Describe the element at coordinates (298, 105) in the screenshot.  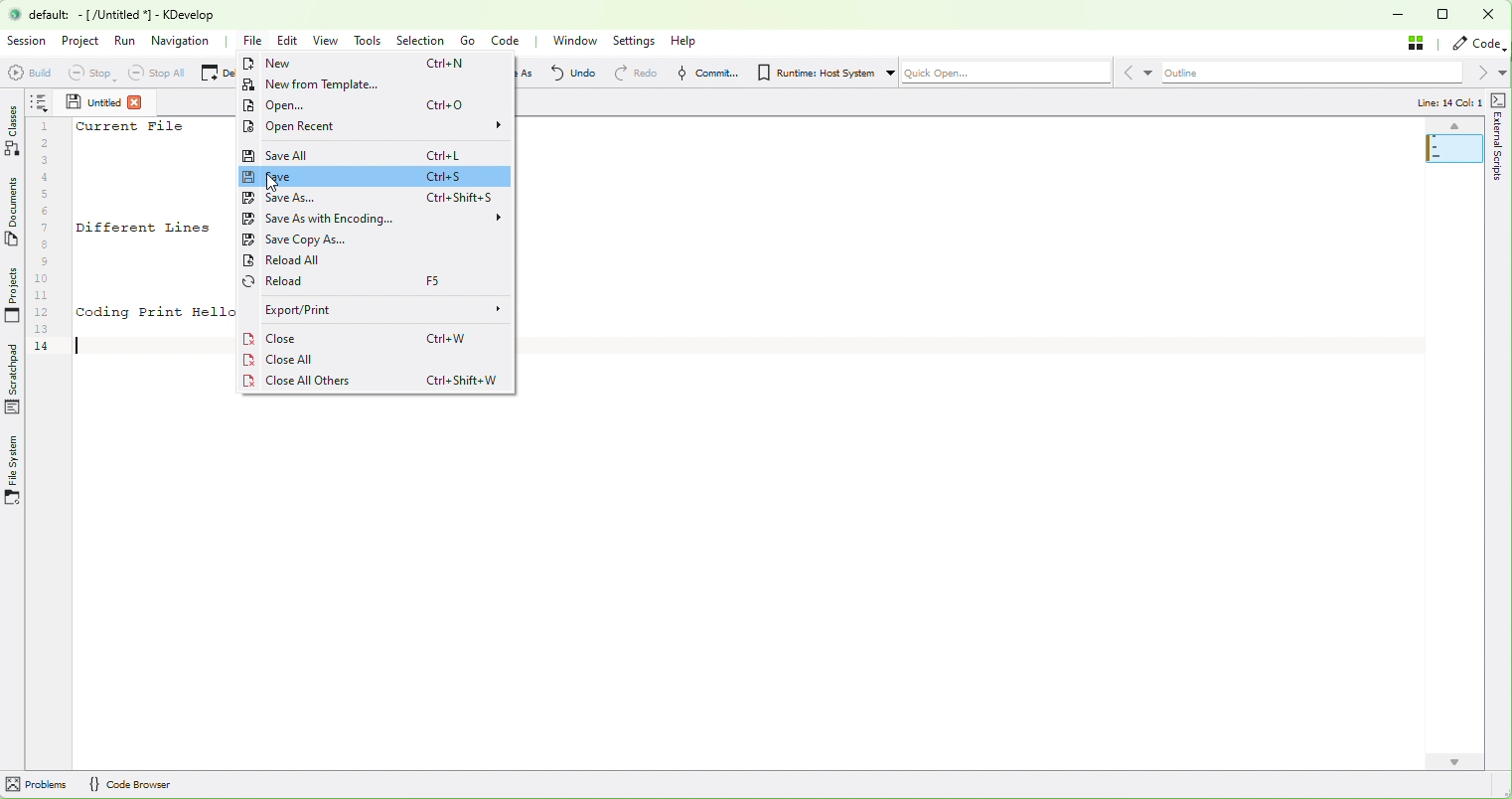
I see `Open` at that location.